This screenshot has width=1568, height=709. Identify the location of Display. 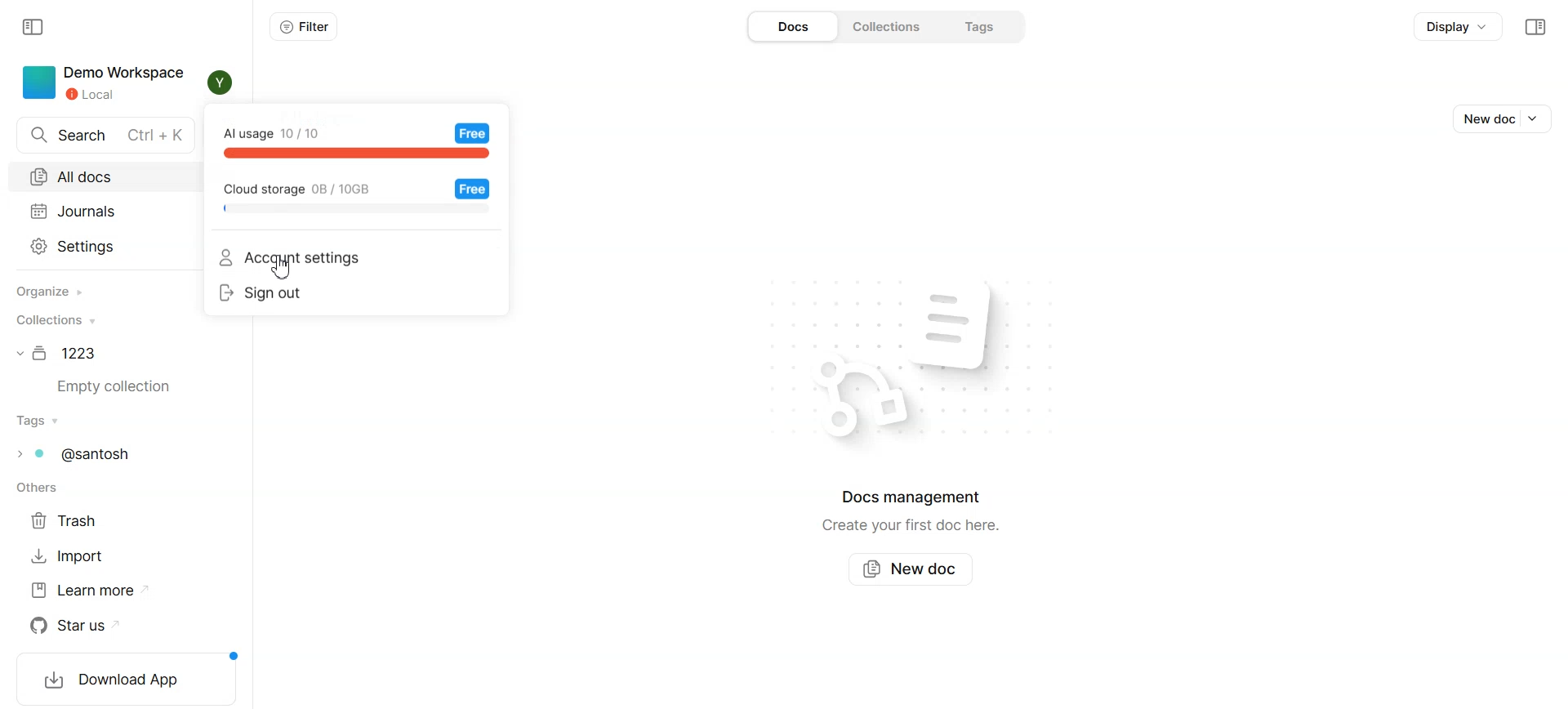
(1458, 25).